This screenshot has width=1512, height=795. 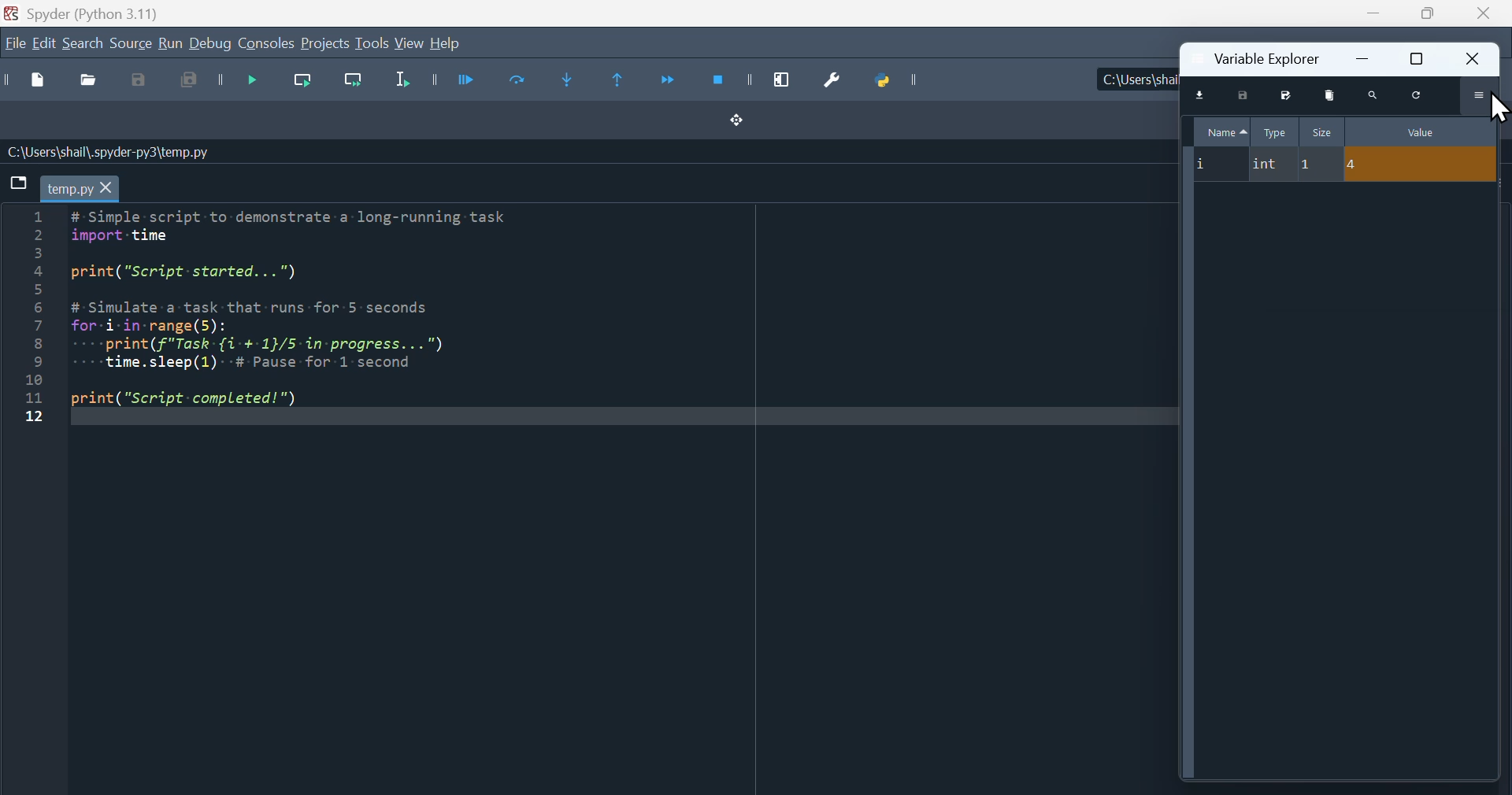 What do you see at coordinates (409, 43) in the screenshot?
I see `view` at bounding box center [409, 43].